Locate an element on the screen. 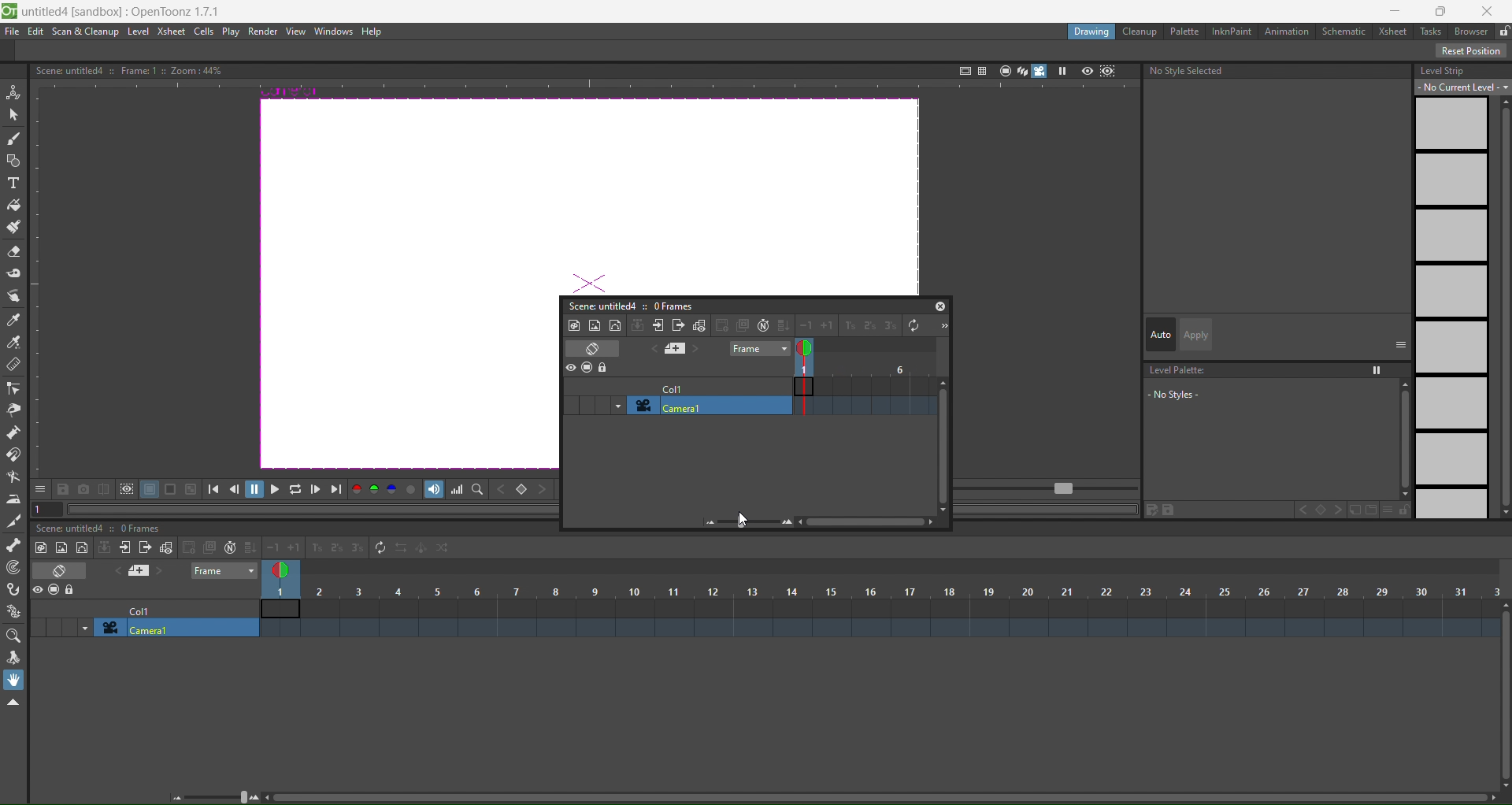 Image resolution: width=1512 pixels, height=805 pixels. windows is located at coordinates (330, 32).